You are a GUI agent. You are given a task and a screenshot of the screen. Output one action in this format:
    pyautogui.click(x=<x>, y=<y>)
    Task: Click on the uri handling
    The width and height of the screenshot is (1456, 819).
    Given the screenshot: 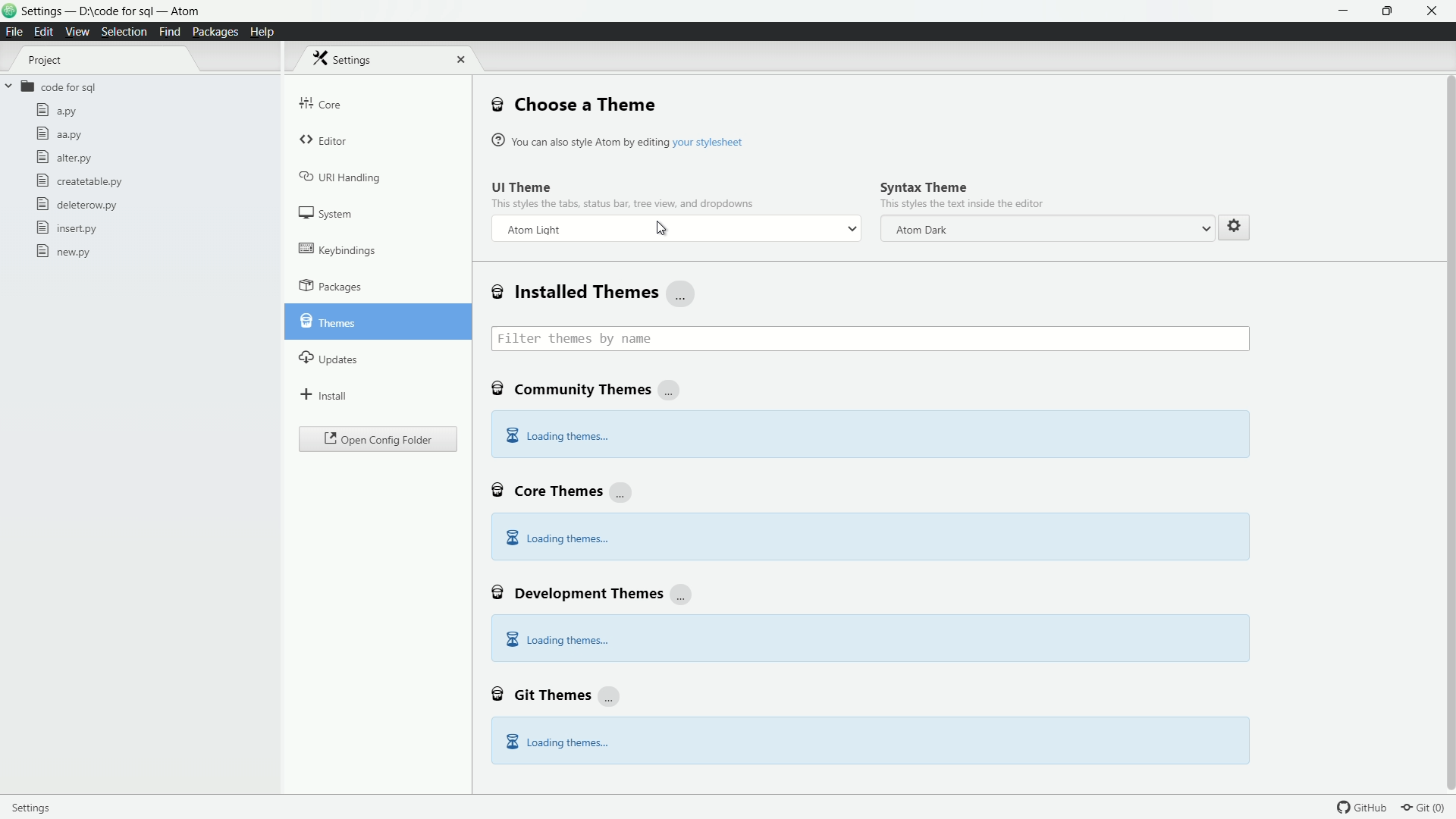 What is the action you would take?
    pyautogui.click(x=341, y=176)
    